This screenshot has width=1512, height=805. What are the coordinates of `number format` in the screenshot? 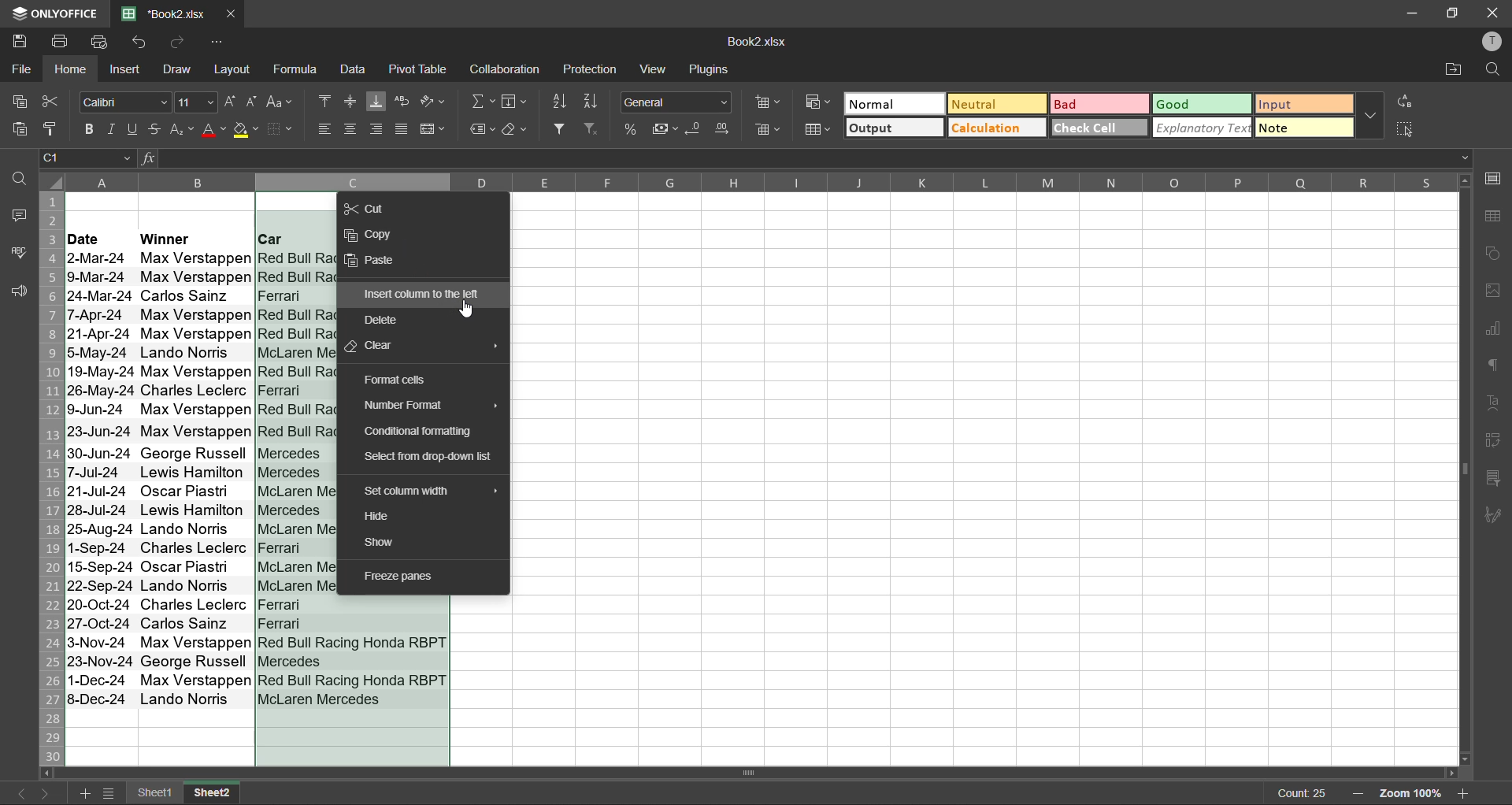 It's located at (404, 406).